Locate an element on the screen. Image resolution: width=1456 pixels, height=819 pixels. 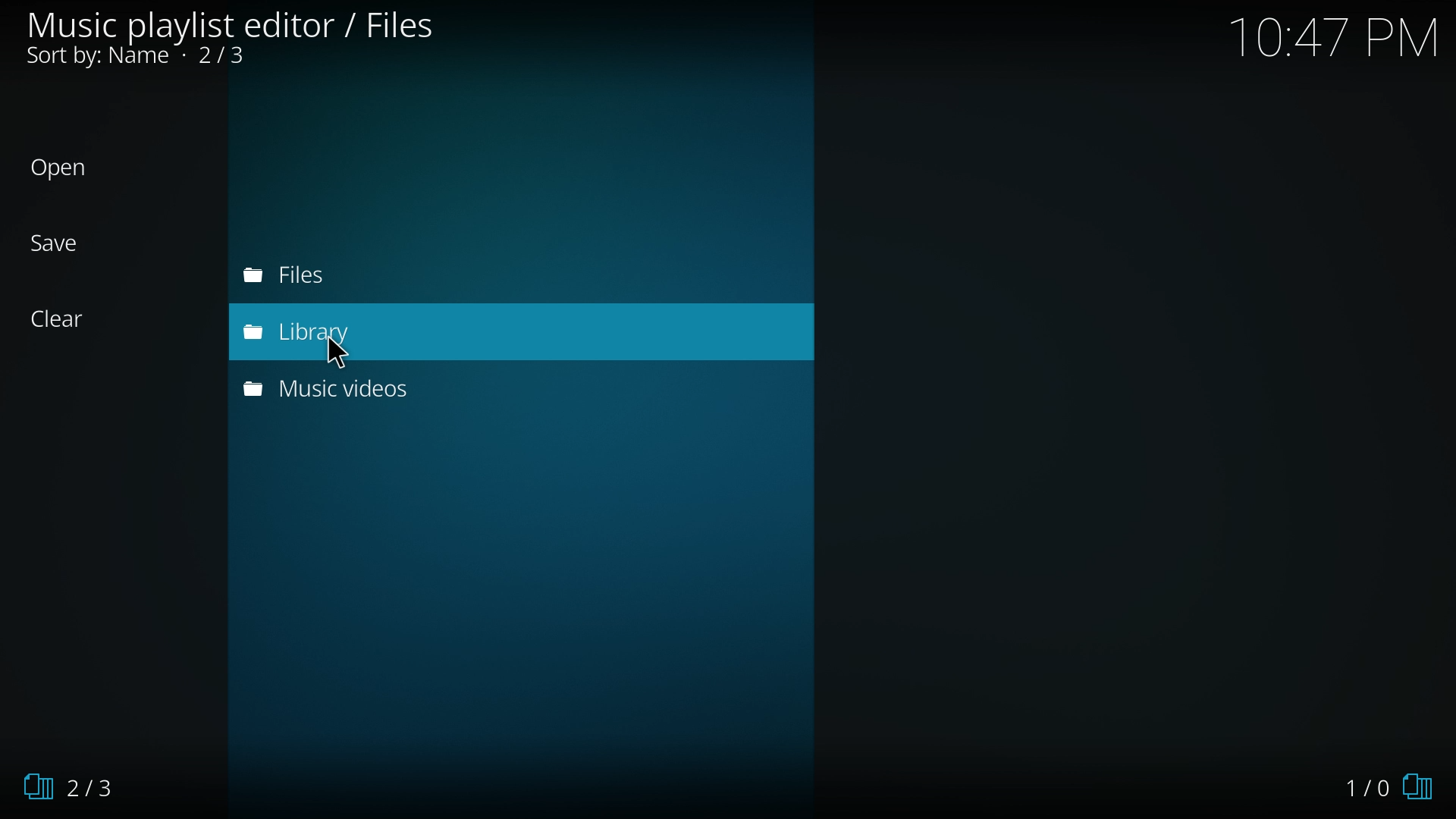
clear is located at coordinates (65, 319).